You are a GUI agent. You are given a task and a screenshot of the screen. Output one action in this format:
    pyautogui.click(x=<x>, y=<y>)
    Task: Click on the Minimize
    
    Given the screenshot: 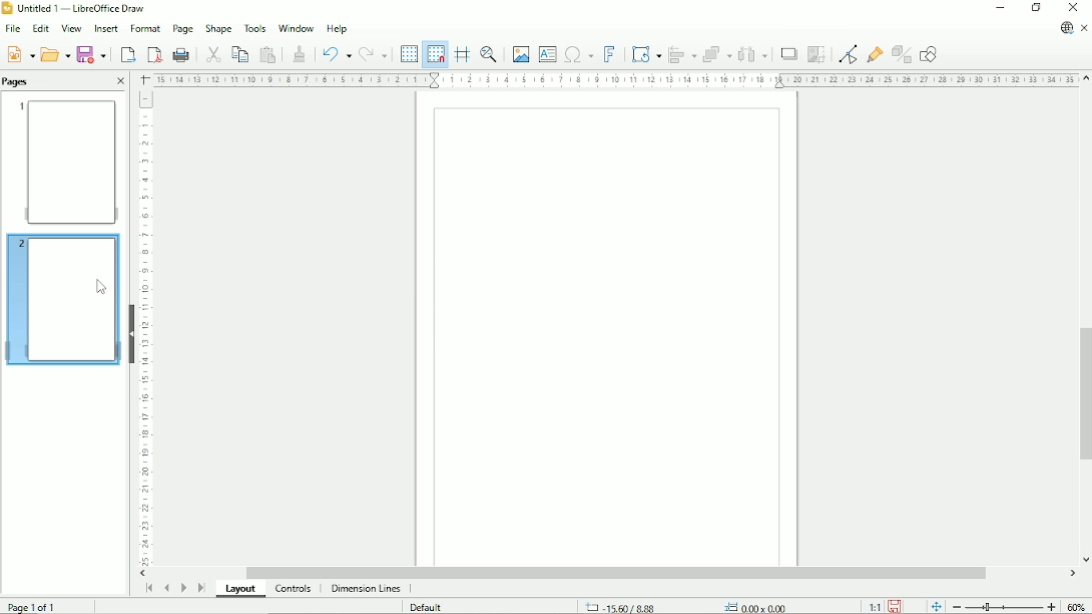 What is the action you would take?
    pyautogui.click(x=999, y=8)
    